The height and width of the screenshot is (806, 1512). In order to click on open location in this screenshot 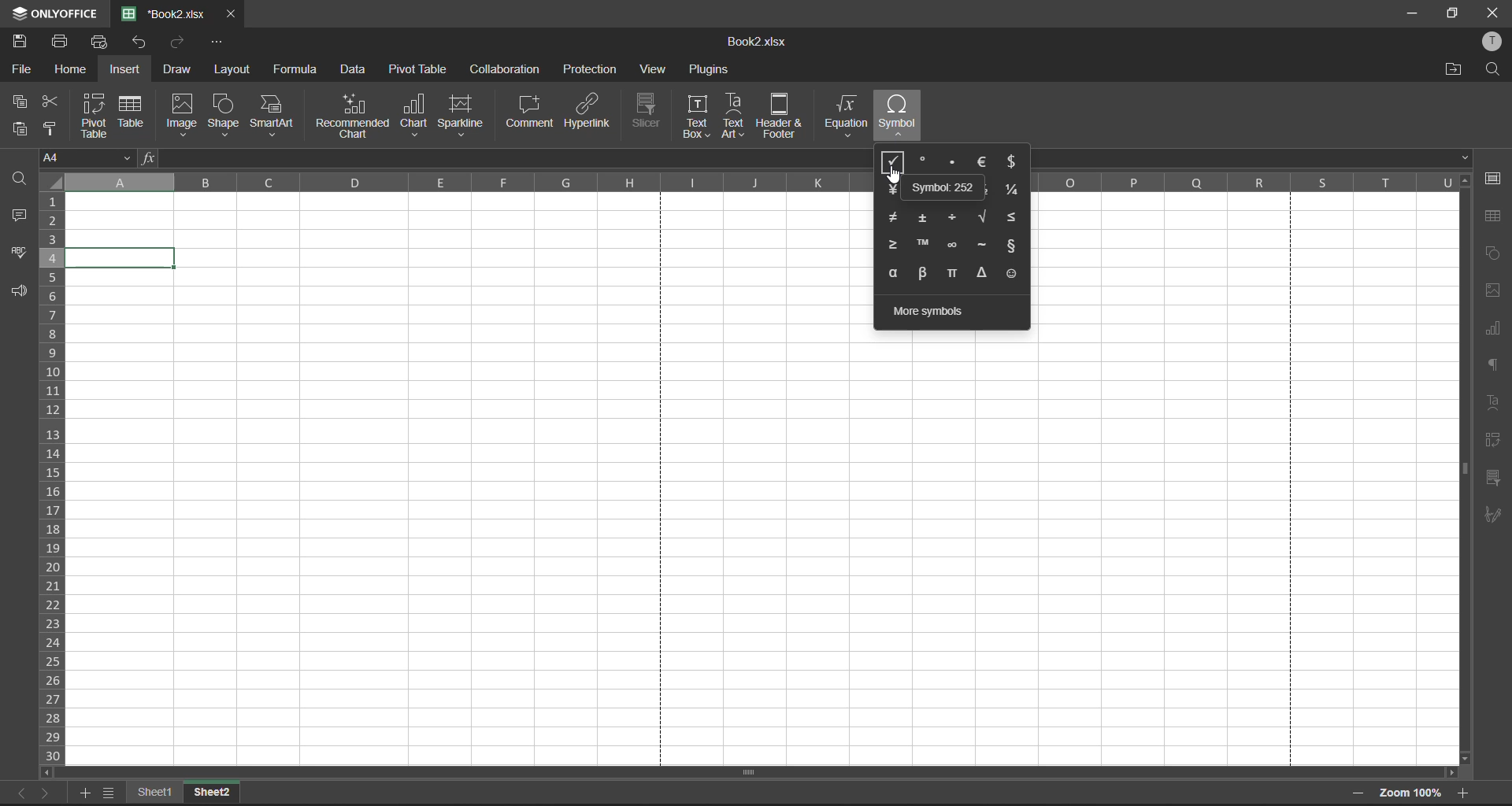, I will do `click(1451, 72)`.